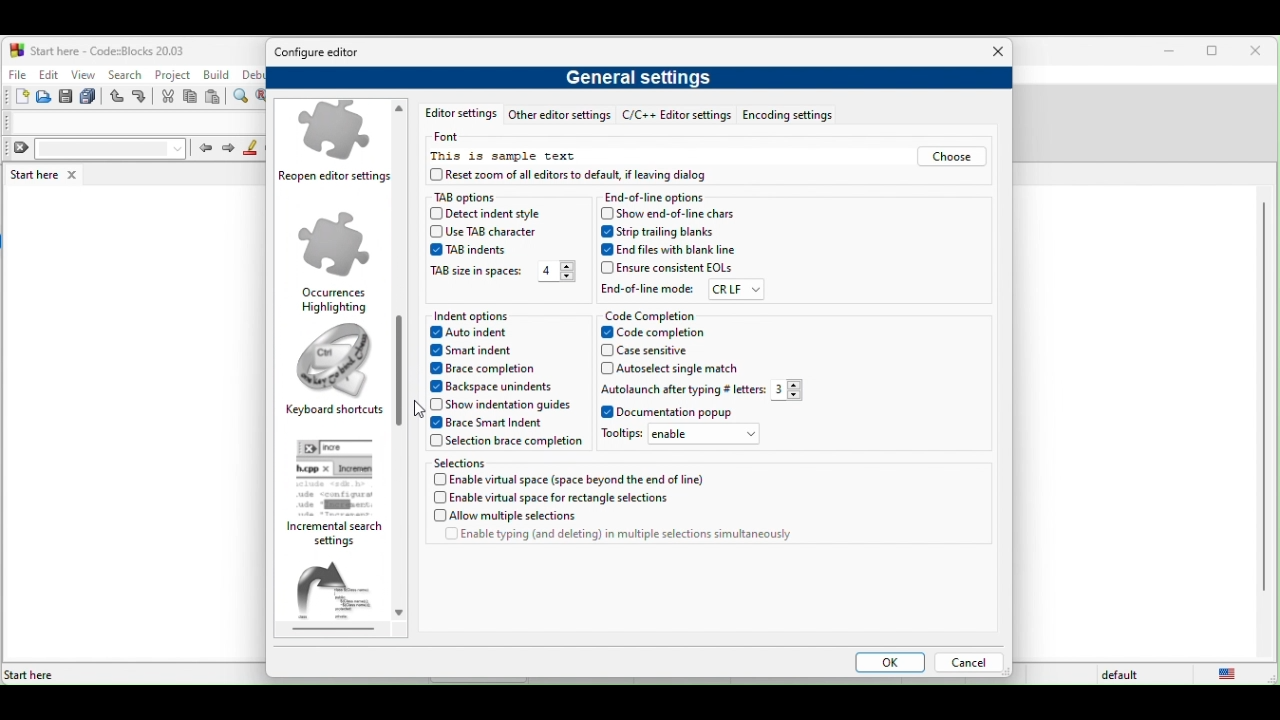 The height and width of the screenshot is (720, 1280). What do you see at coordinates (90, 97) in the screenshot?
I see `save everything` at bounding box center [90, 97].